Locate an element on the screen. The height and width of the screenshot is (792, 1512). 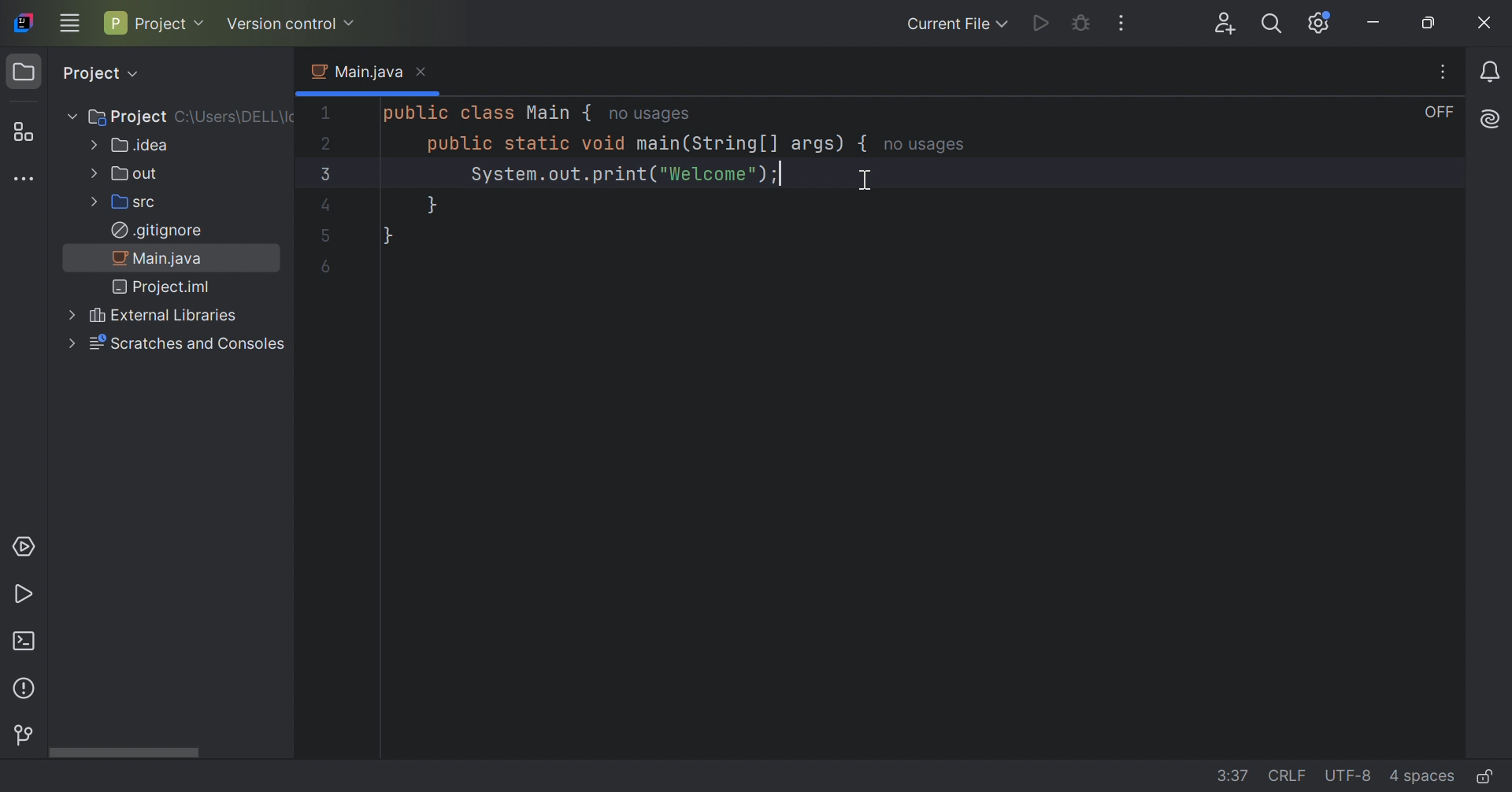
Typing cursor is located at coordinates (782, 174).